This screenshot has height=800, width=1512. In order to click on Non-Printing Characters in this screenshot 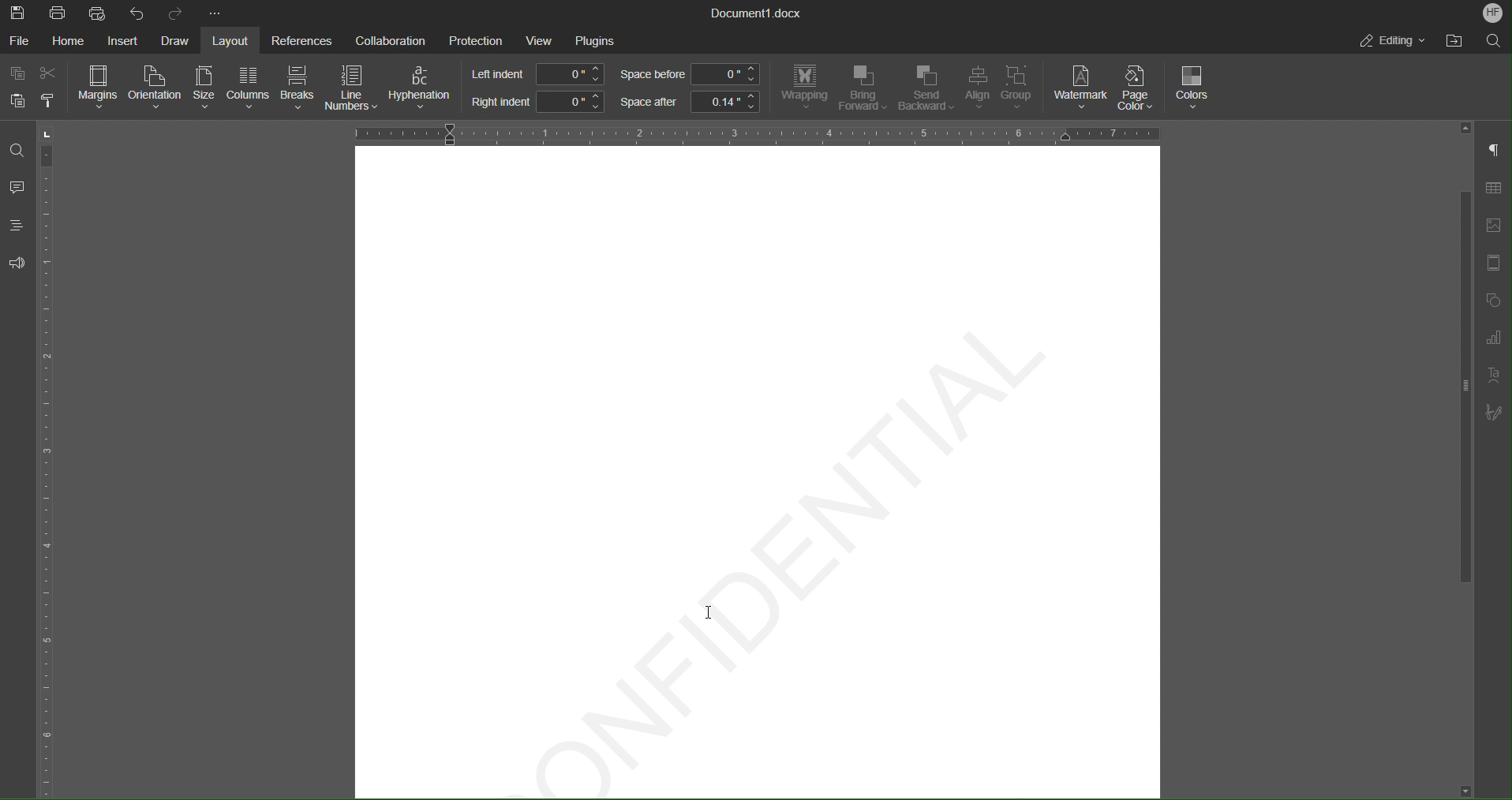, I will do `click(1495, 151)`.